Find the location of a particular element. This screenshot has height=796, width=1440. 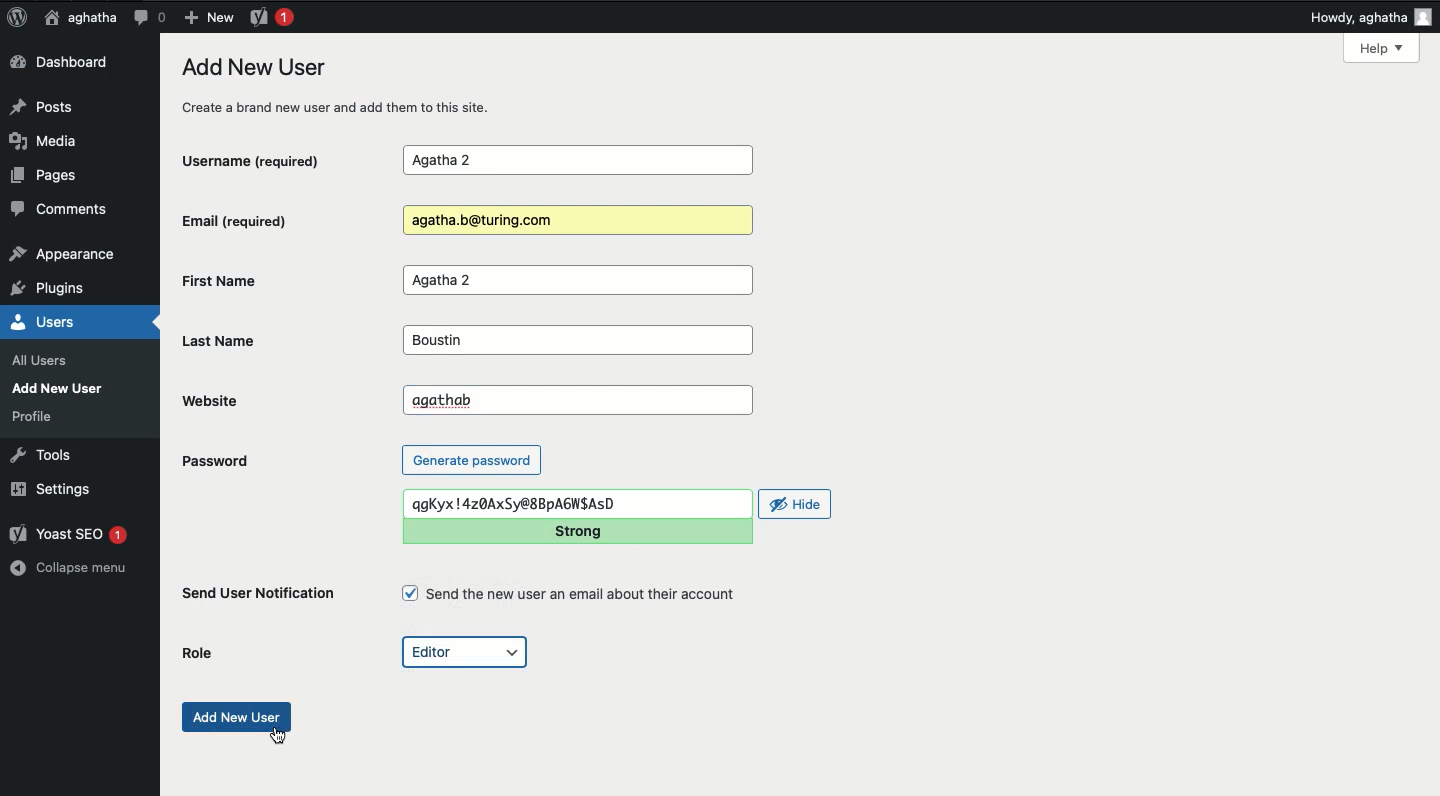

Password is located at coordinates (214, 461).